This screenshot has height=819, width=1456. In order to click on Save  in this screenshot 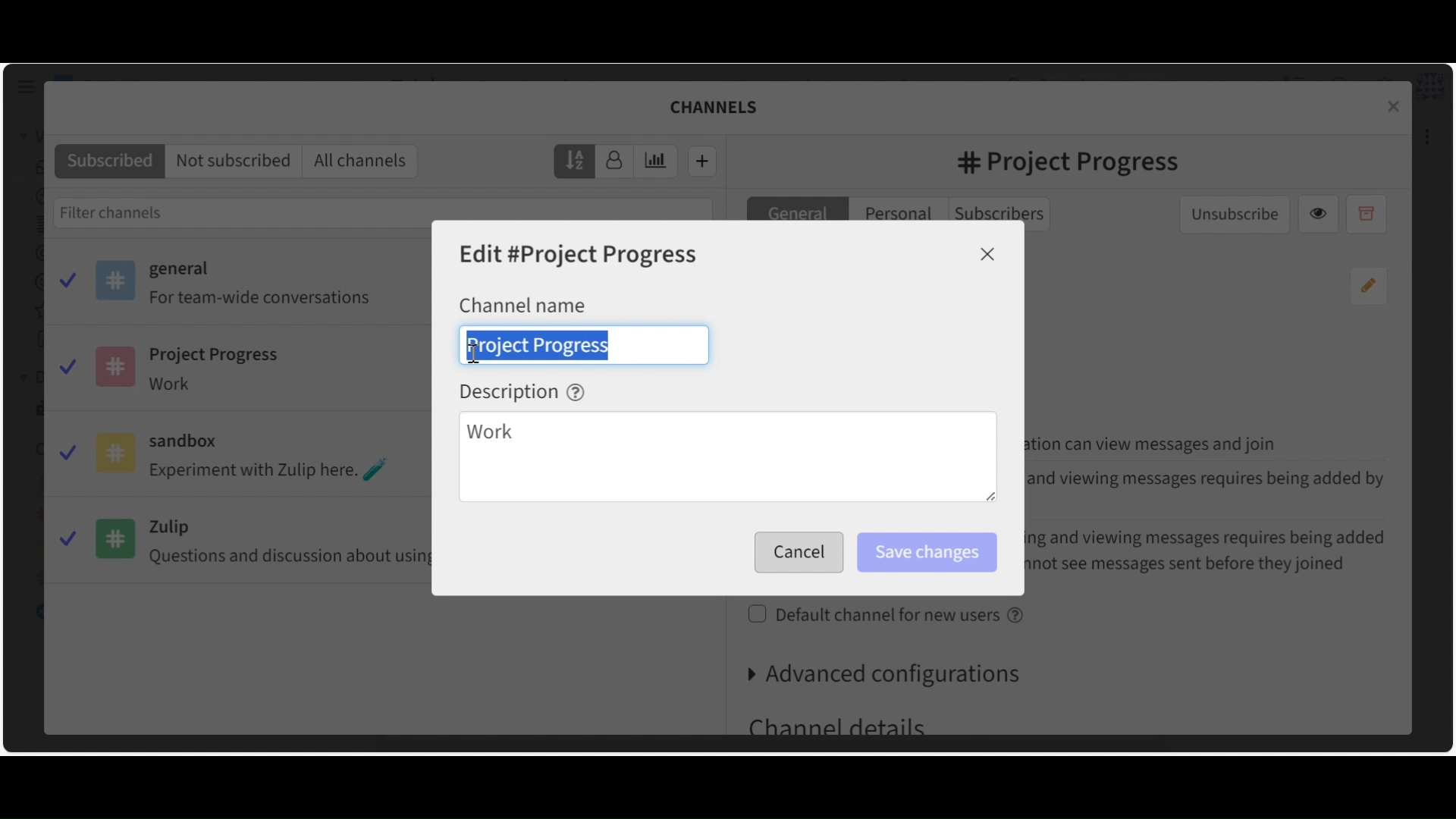, I will do `click(795, 553)`.